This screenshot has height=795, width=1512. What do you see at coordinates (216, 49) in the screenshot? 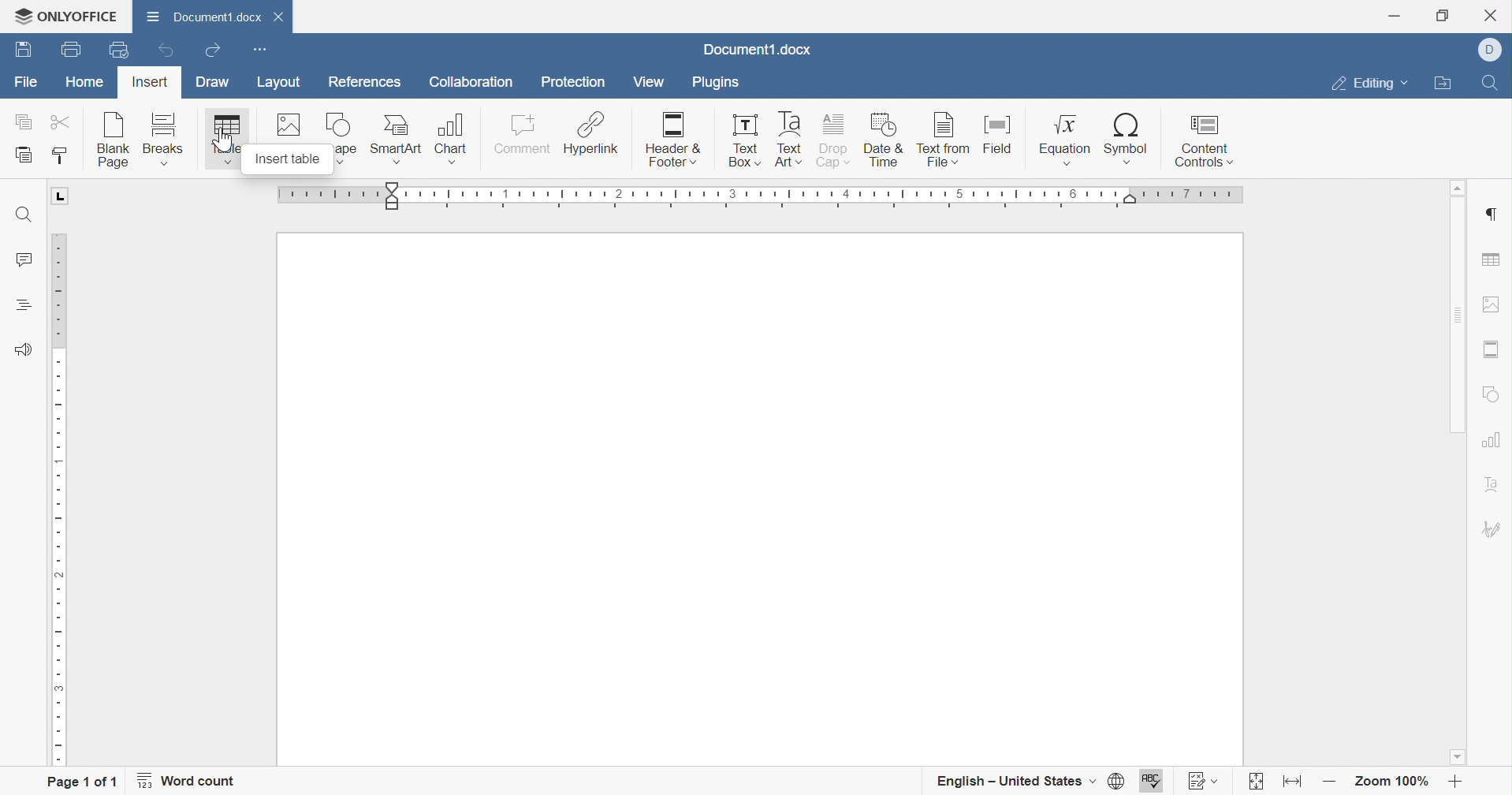
I see `Redo` at bounding box center [216, 49].